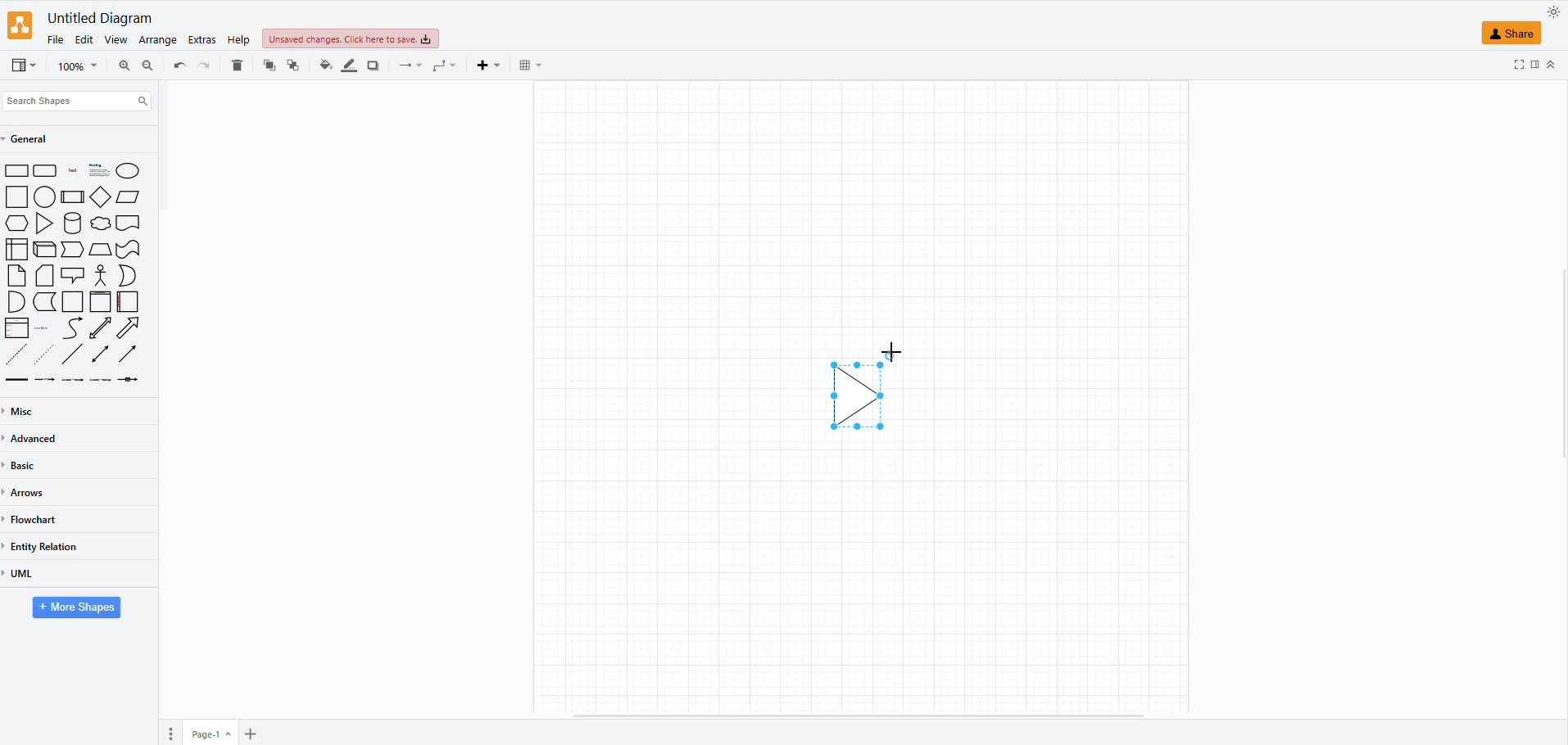  What do you see at coordinates (21, 65) in the screenshot?
I see `view` at bounding box center [21, 65].